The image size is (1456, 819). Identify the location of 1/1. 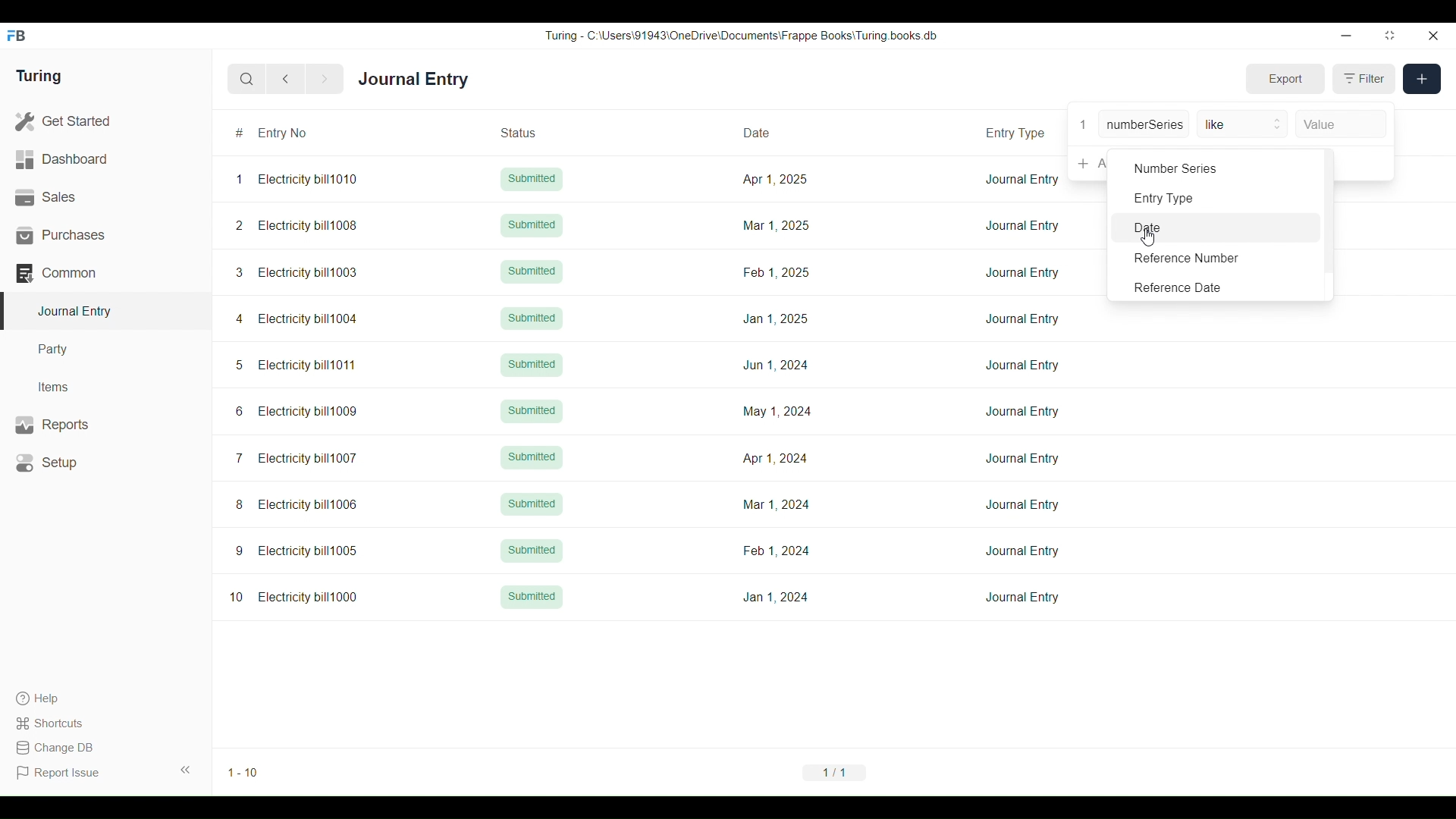
(834, 772).